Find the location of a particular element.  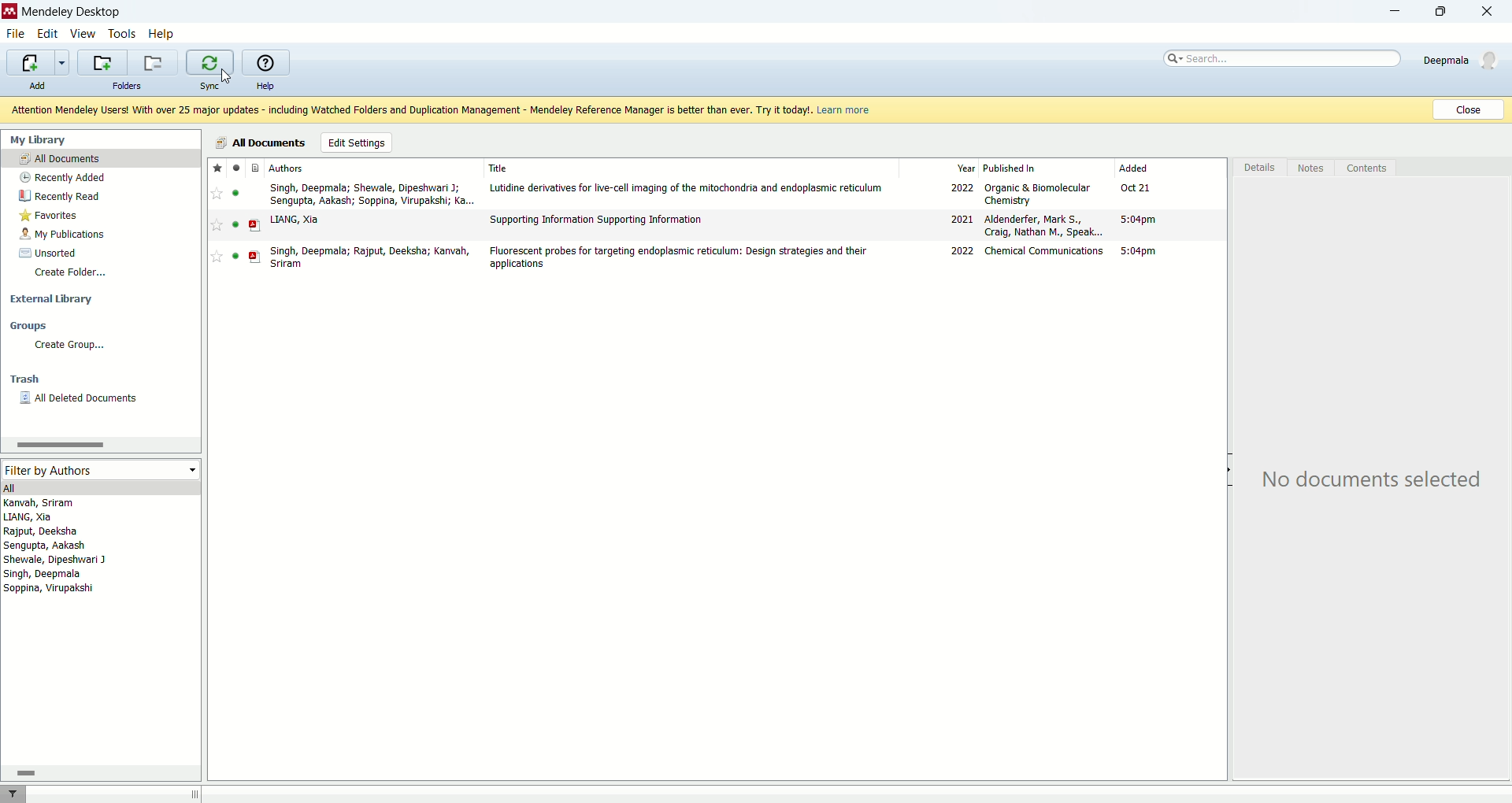

add is located at coordinates (35, 86).